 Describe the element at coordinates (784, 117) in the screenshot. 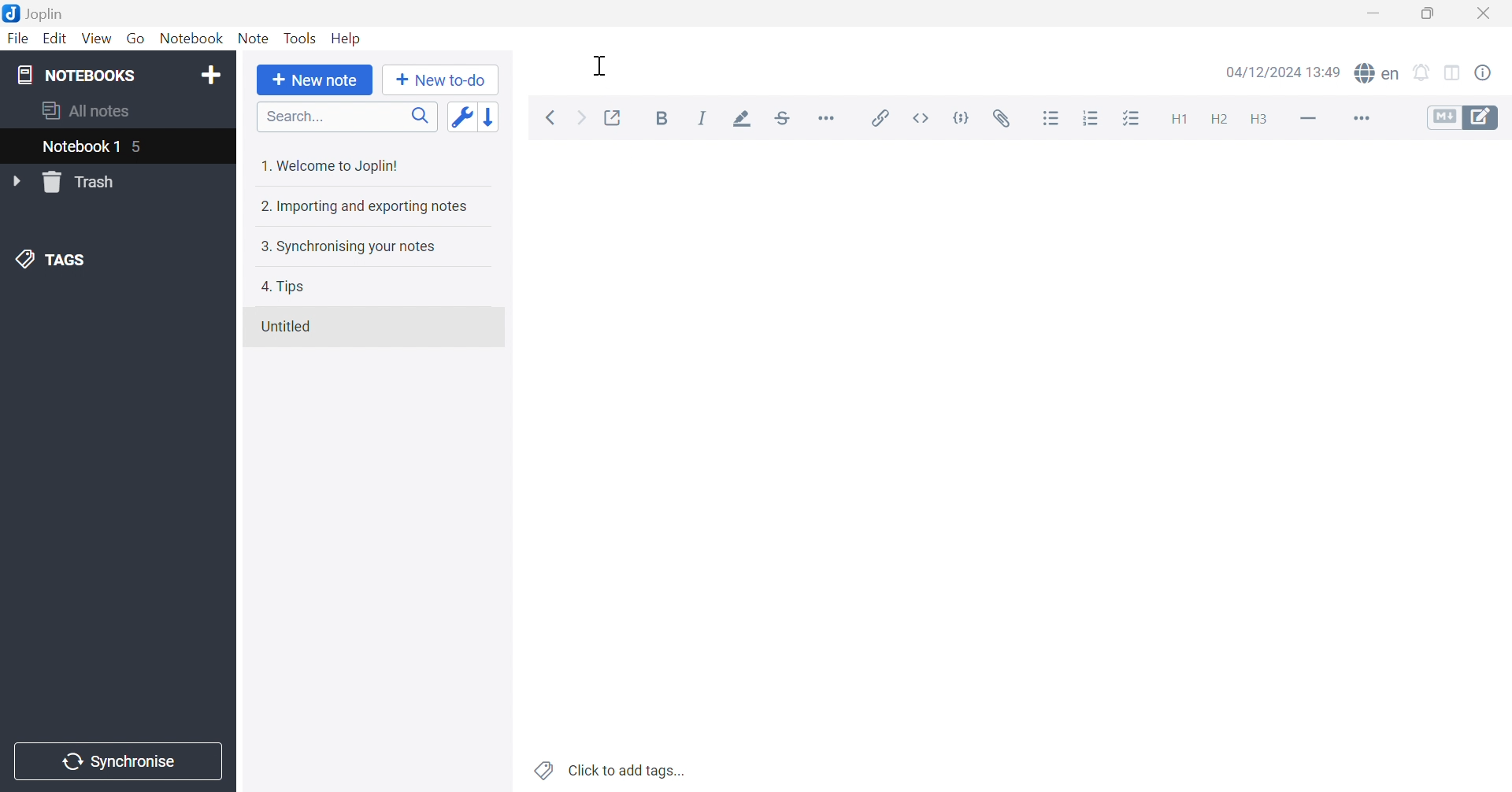

I see `Strikethrough` at that location.